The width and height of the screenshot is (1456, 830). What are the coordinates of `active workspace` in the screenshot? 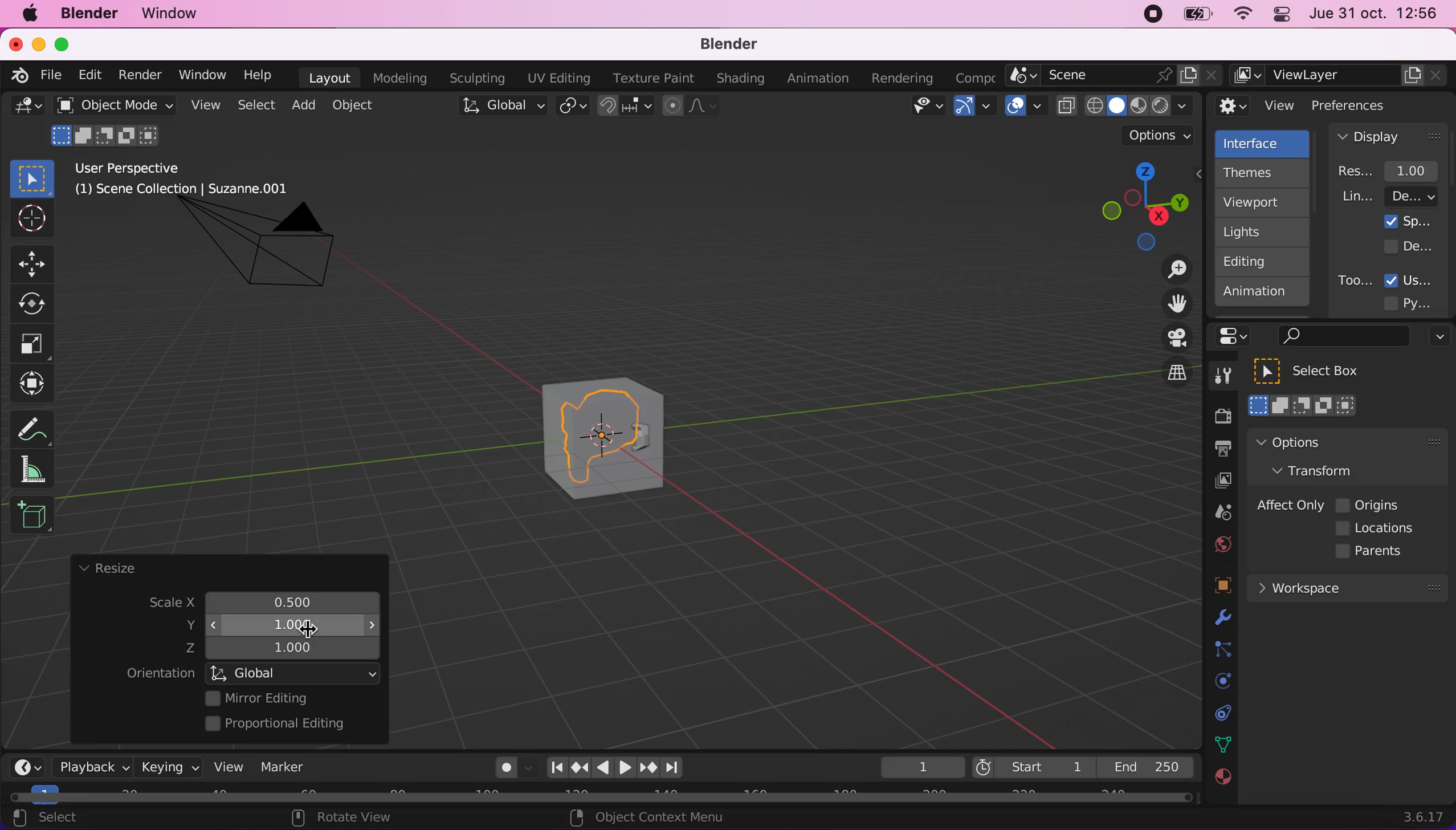 It's located at (971, 76).